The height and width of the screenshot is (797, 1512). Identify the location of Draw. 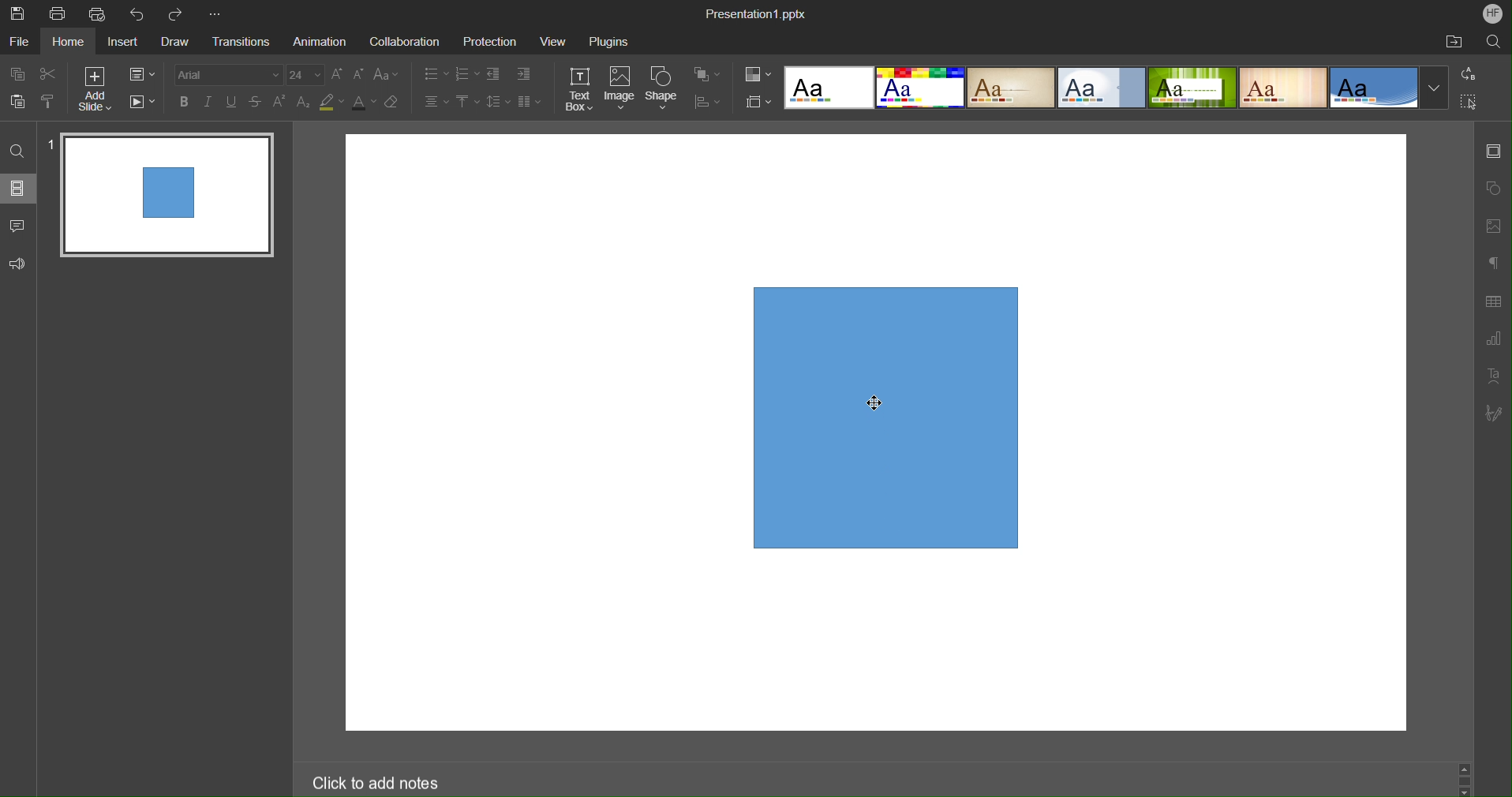
(174, 39).